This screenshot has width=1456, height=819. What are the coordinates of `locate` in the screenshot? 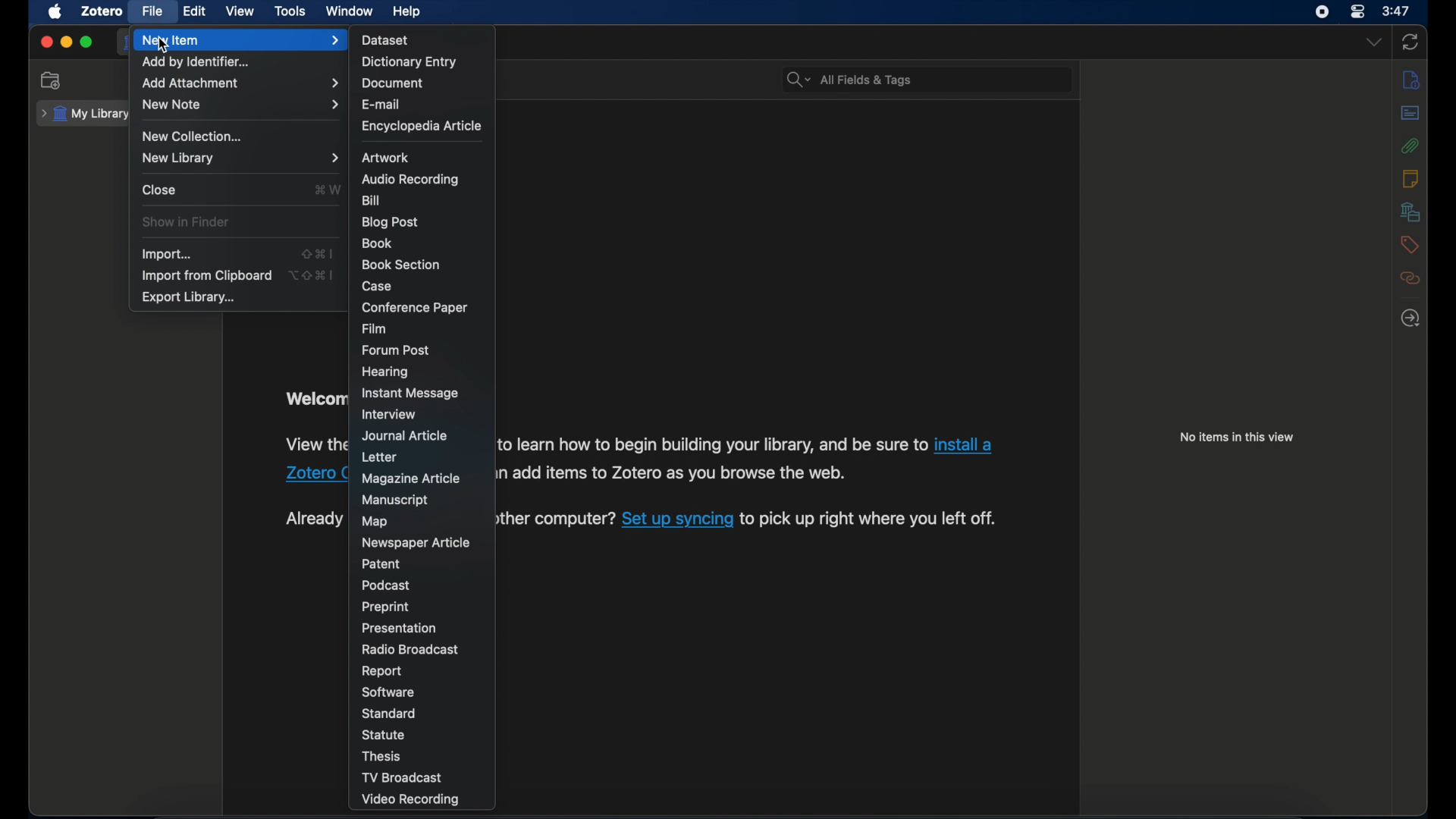 It's located at (1411, 318).